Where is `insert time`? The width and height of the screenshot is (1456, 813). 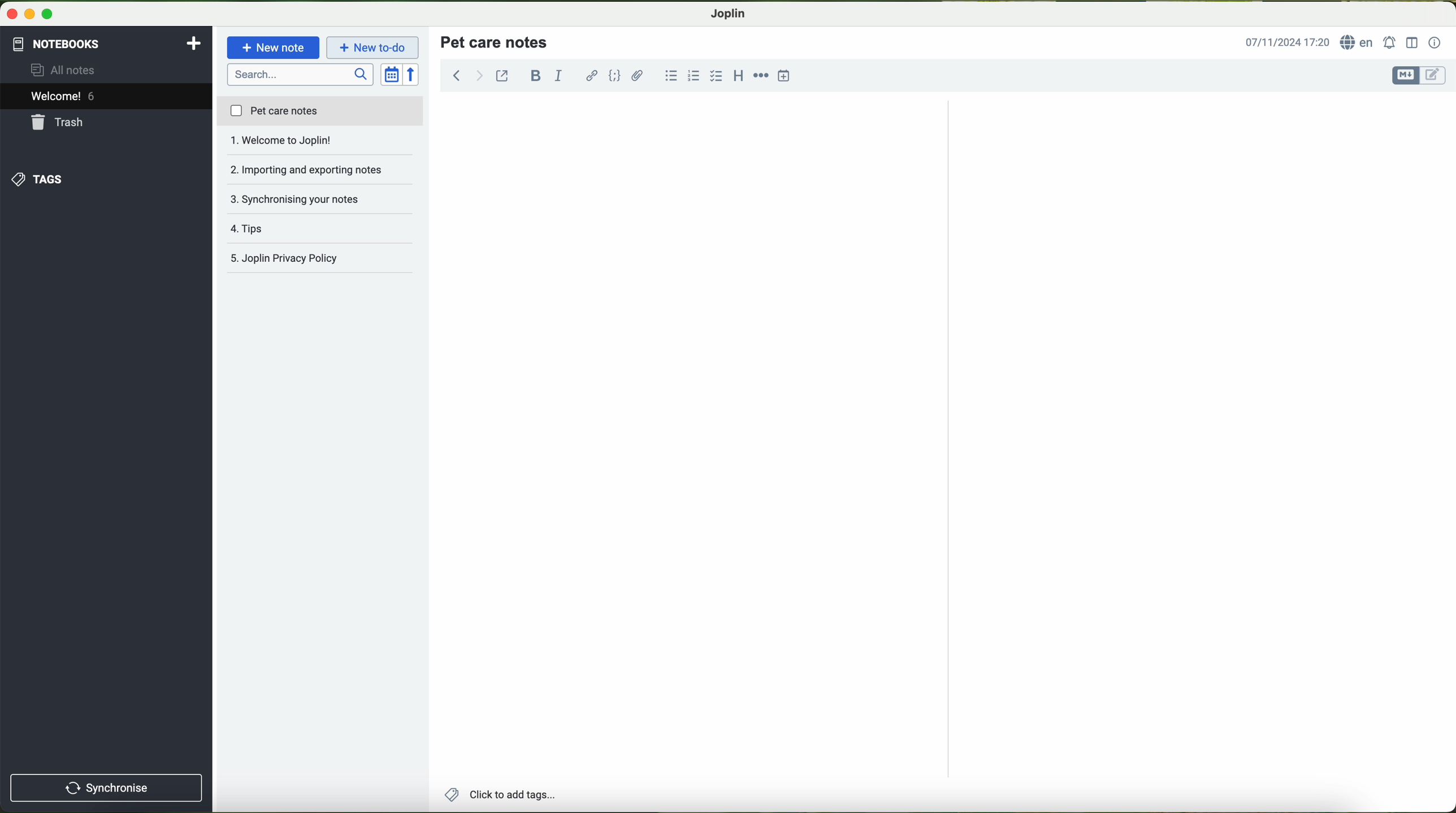 insert time is located at coordinates (785, 75).